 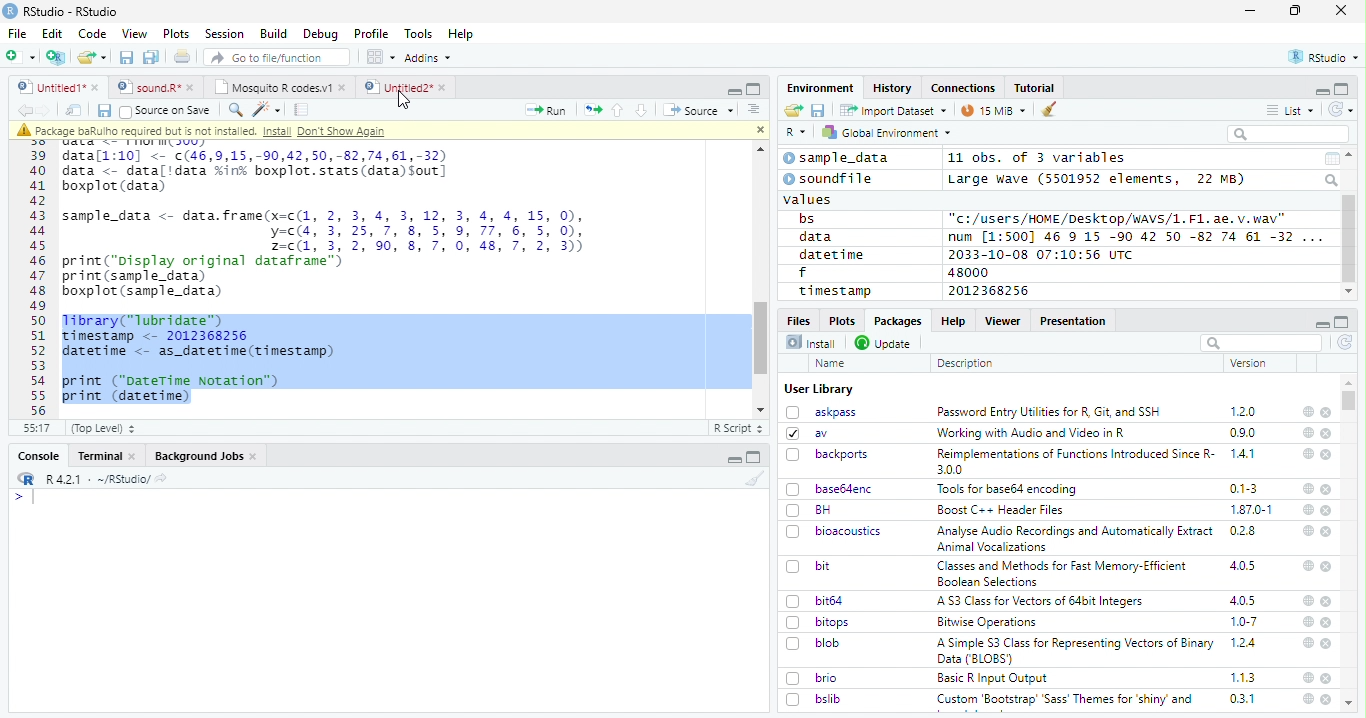 What do you see at coordinates (38, 428) in the screenshot?
I see `55:17` at bounding box center [38, 428].